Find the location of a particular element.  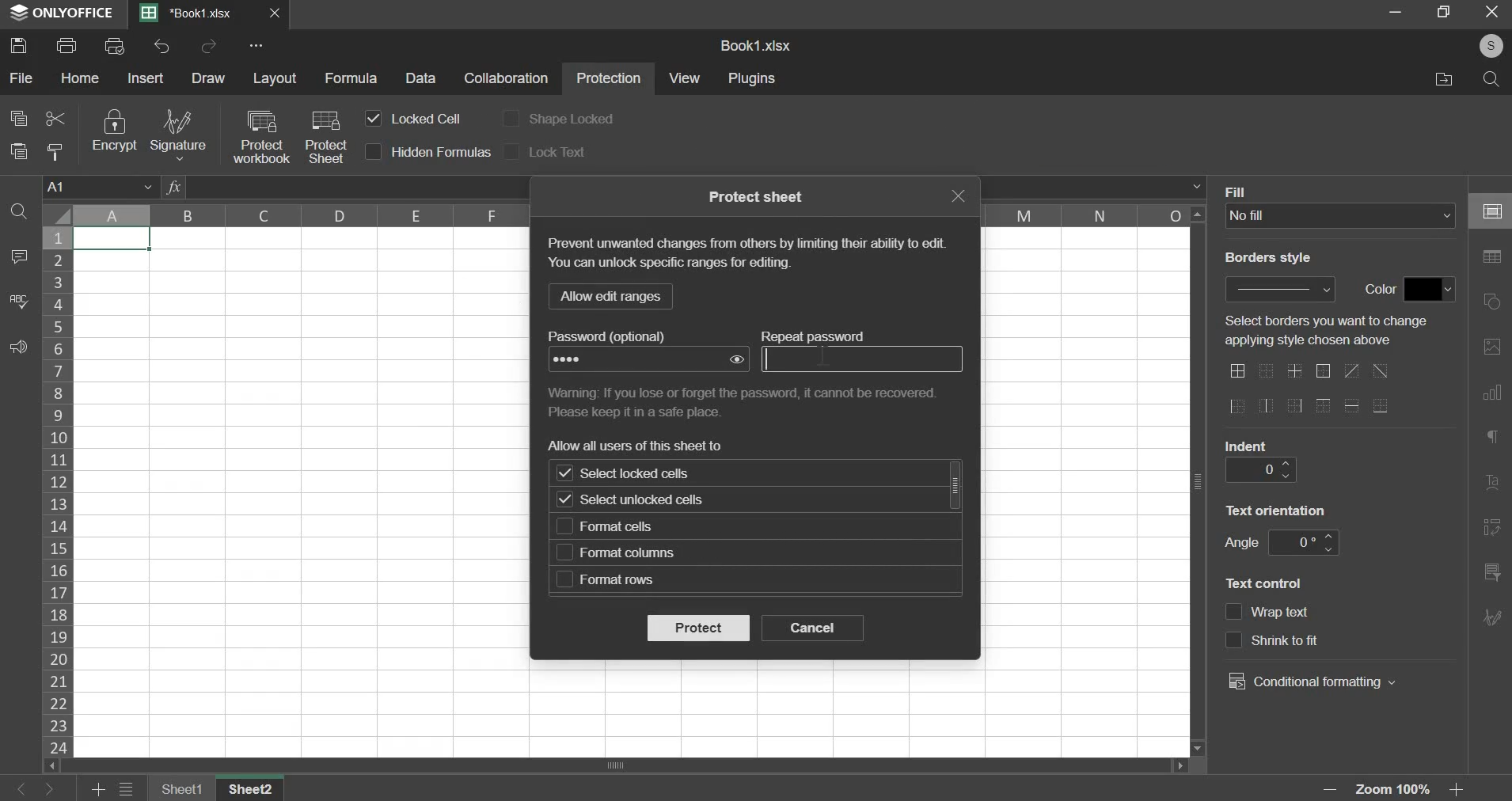

data is located at coordinates (423, 78).